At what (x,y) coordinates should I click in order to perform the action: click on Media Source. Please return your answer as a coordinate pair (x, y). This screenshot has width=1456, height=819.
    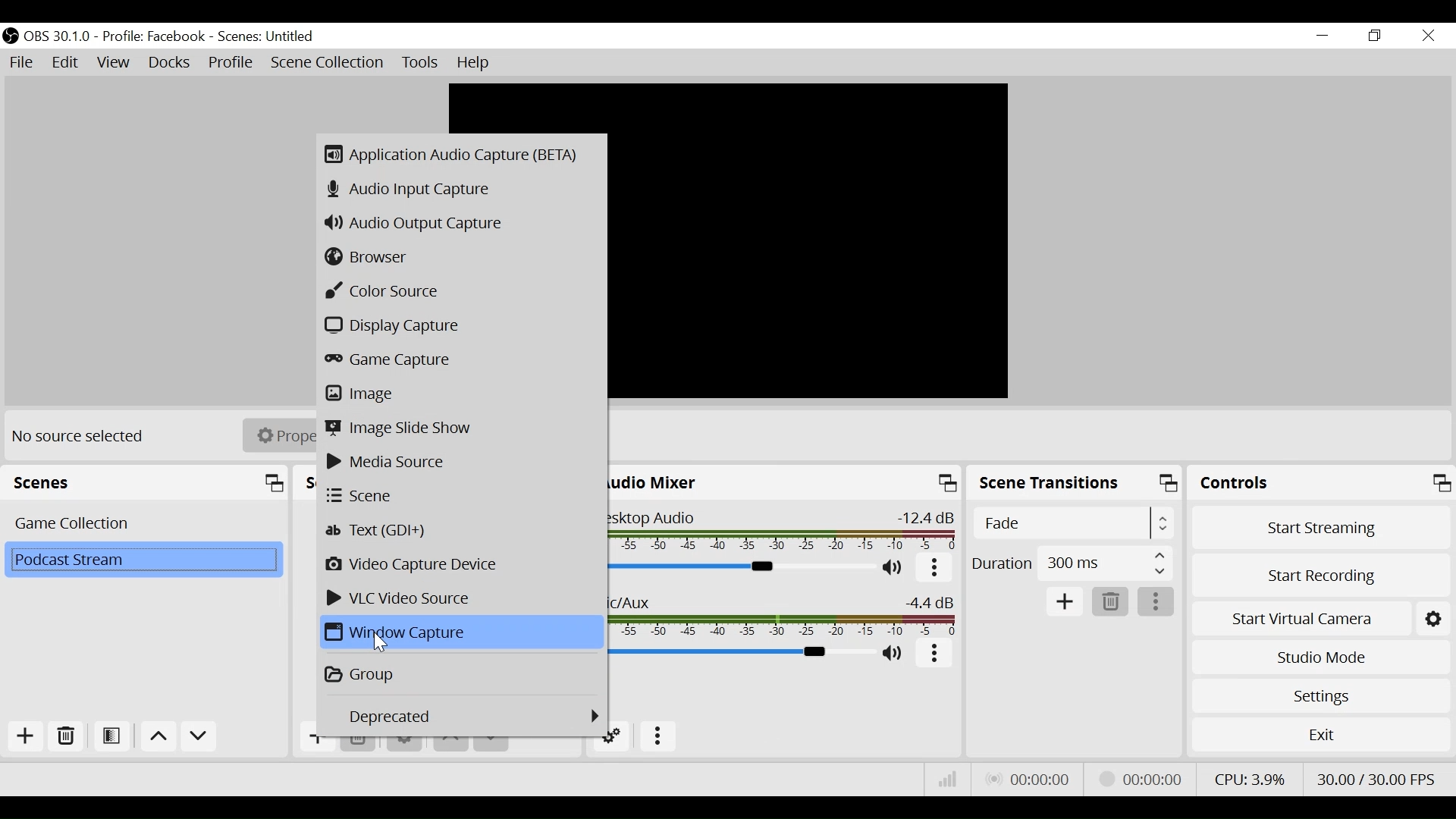
    Looking at the image, I should click on (463, 462).